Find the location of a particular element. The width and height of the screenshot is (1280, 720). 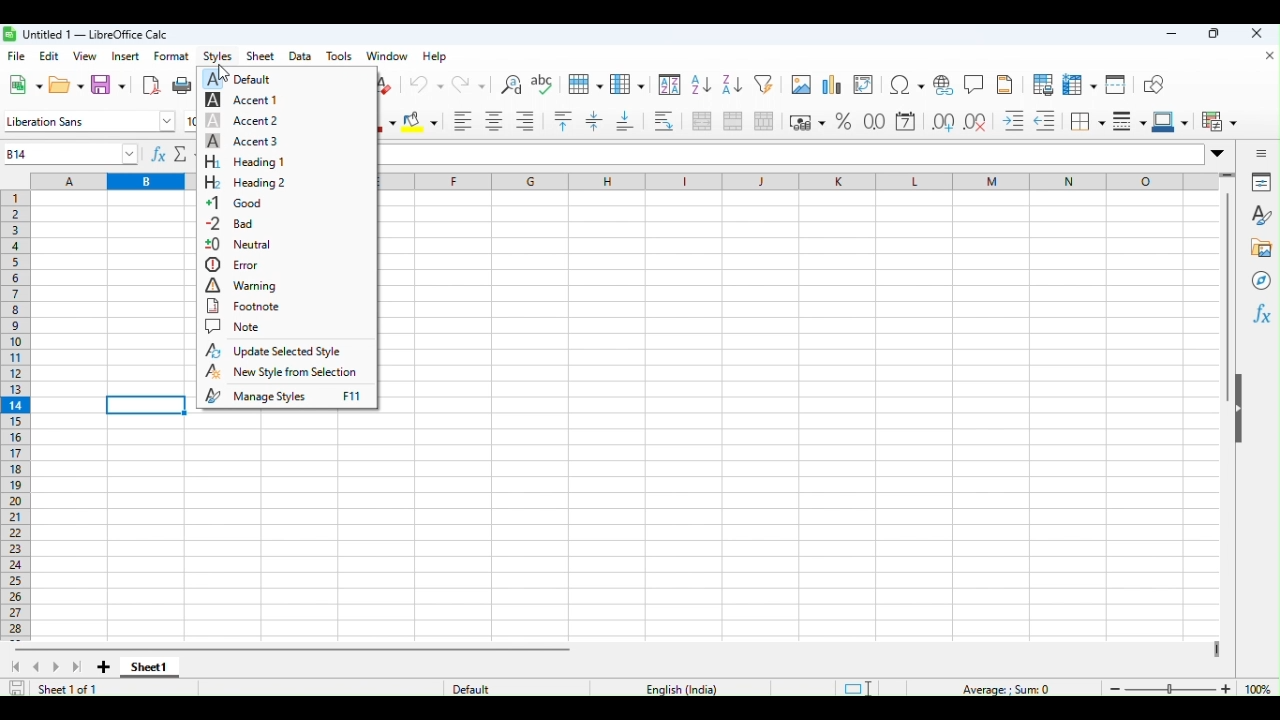

merge And centre is located at coordinates (700, 122).